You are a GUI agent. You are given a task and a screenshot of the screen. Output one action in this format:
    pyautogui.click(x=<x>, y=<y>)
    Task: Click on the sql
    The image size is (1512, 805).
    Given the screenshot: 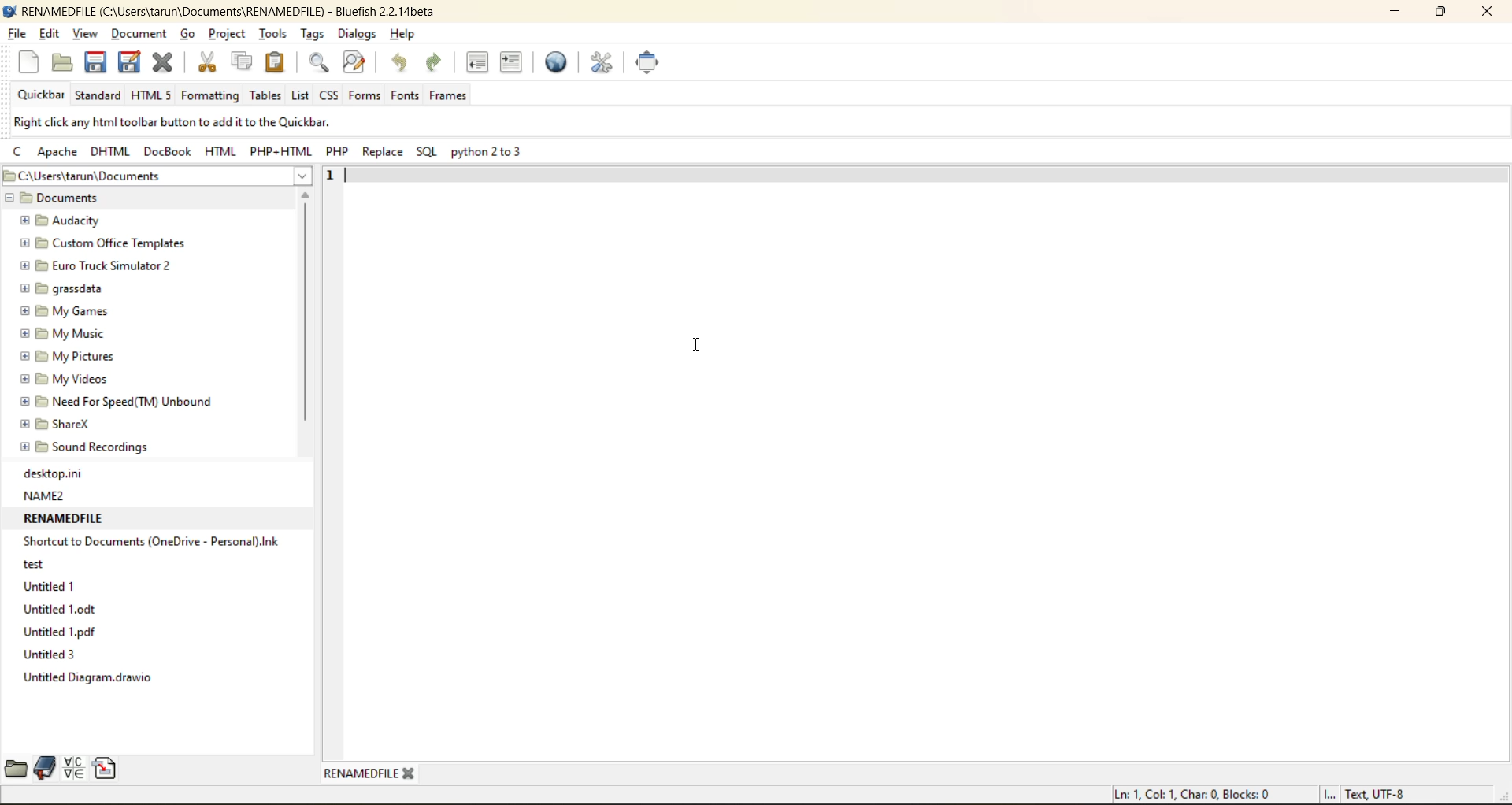 What is the action you would take?
    pyautogui.click(x=428, y=152)
    